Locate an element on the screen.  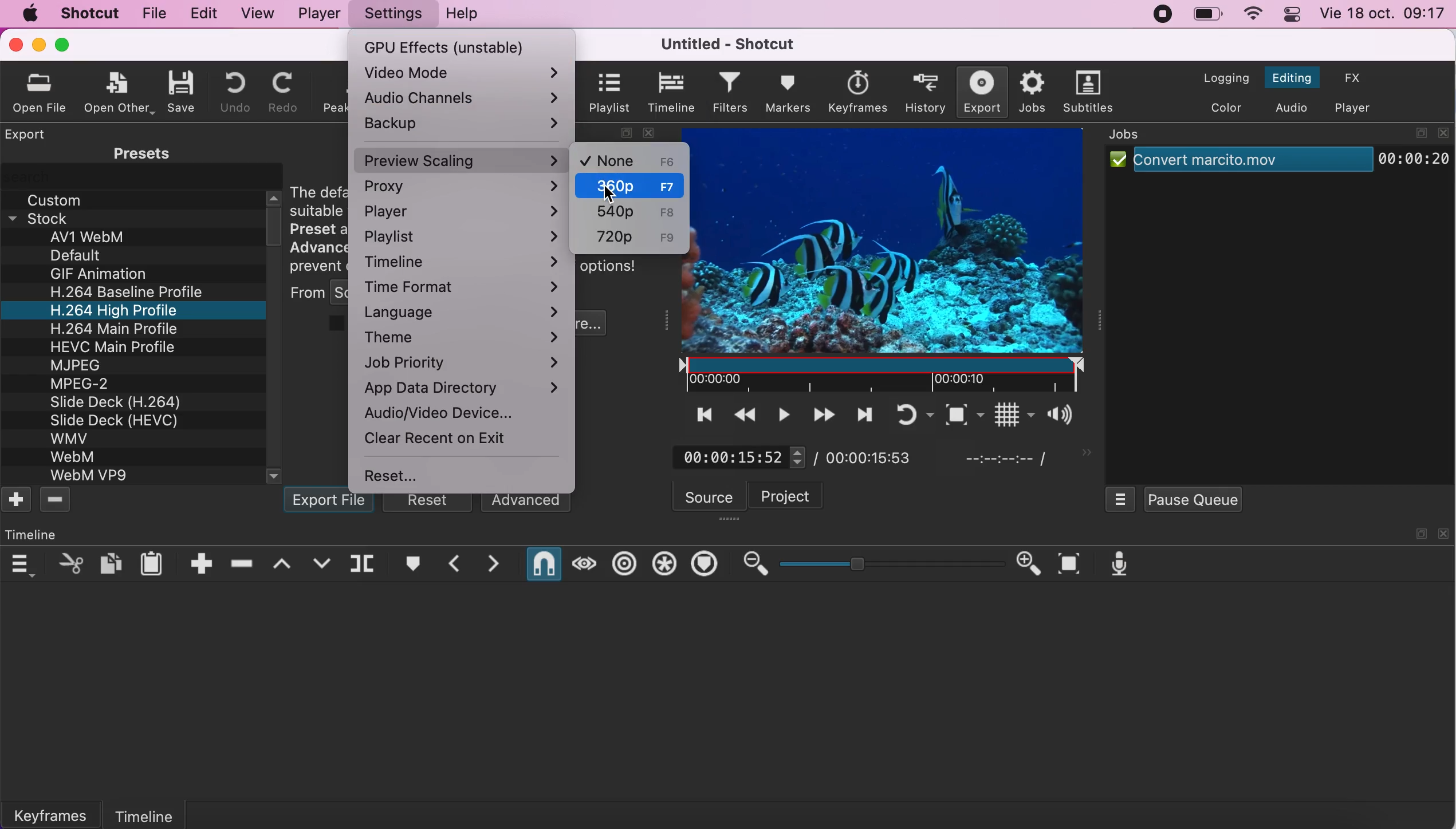
zoom graduation is located at coordinates (892, 564).